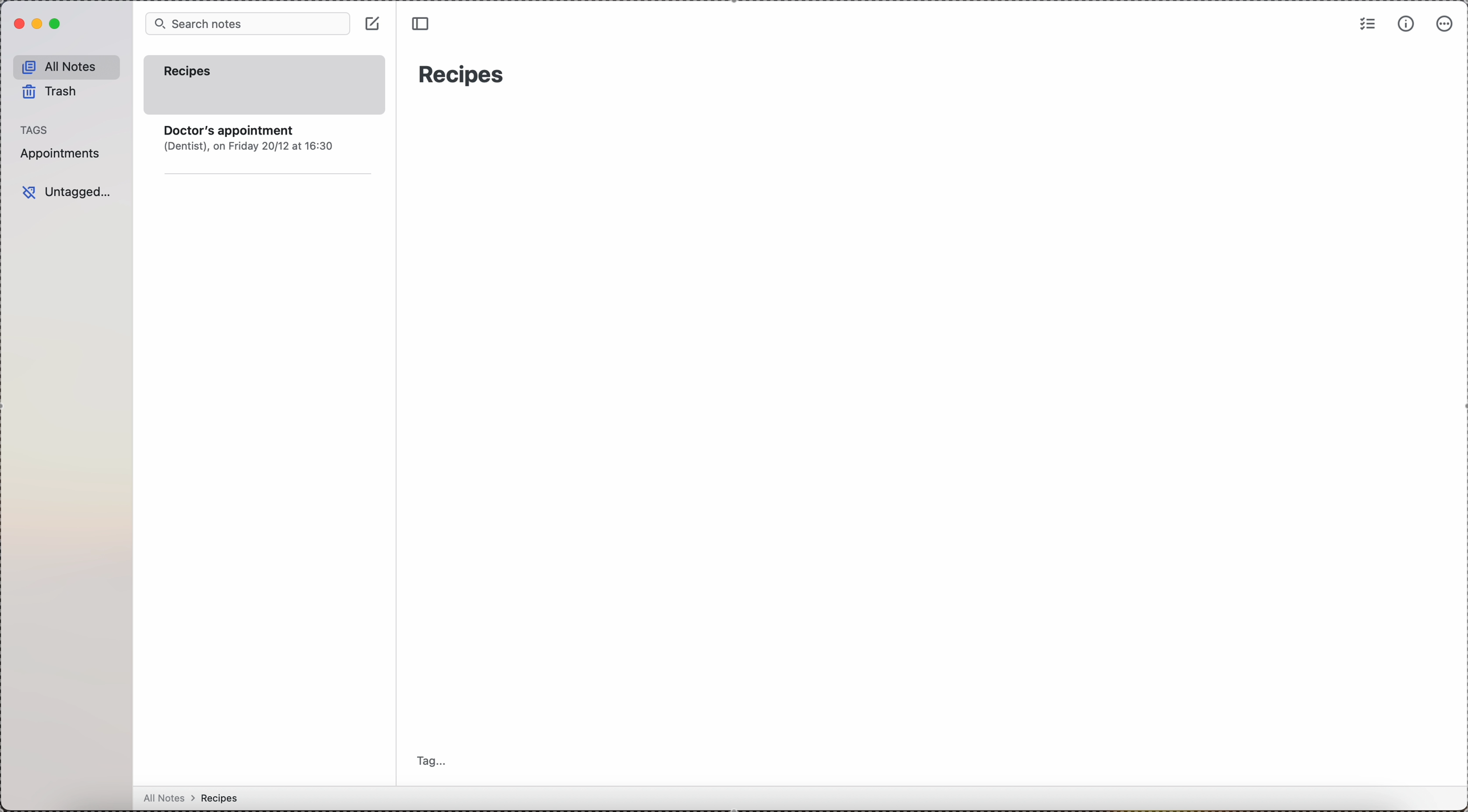 This screenshot has height=812, width=1468. I want to click on note, so click(270, 153).